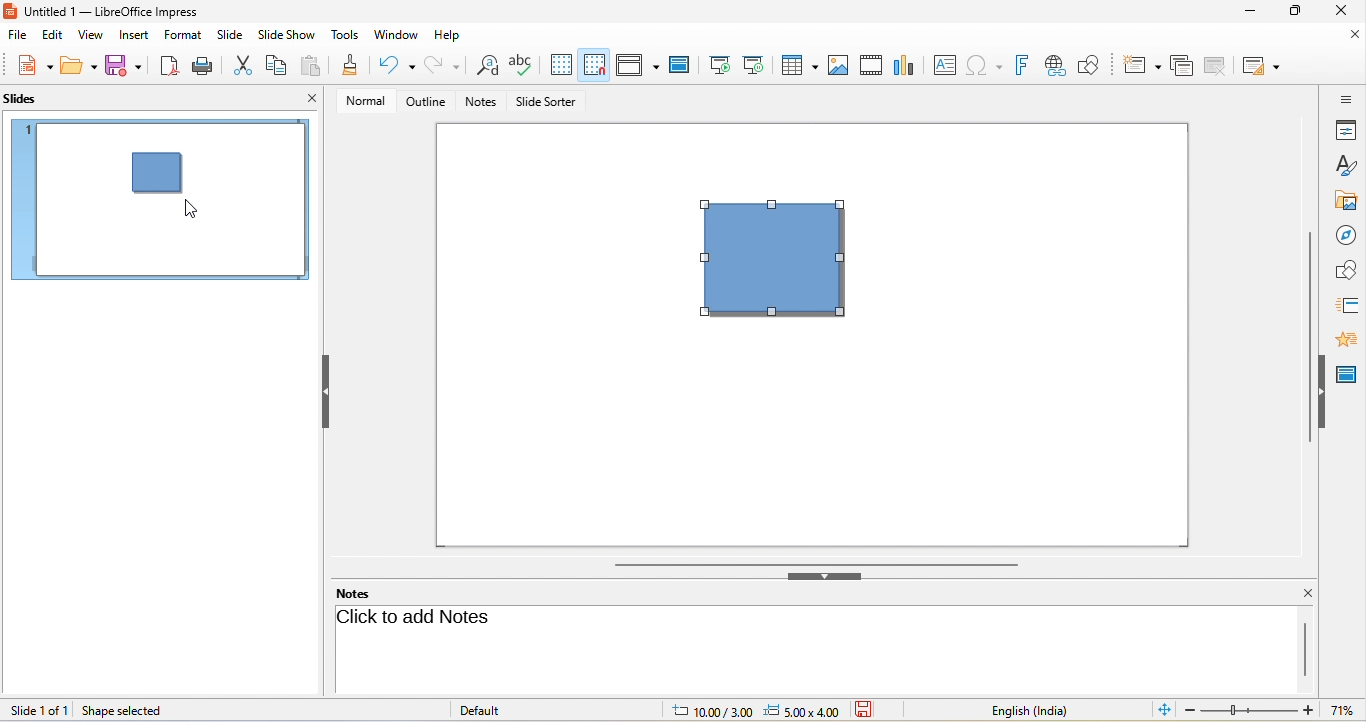  Describe the element at coordinates (165, 64) in the screenshot. I see `export directly as pdf` at that location.